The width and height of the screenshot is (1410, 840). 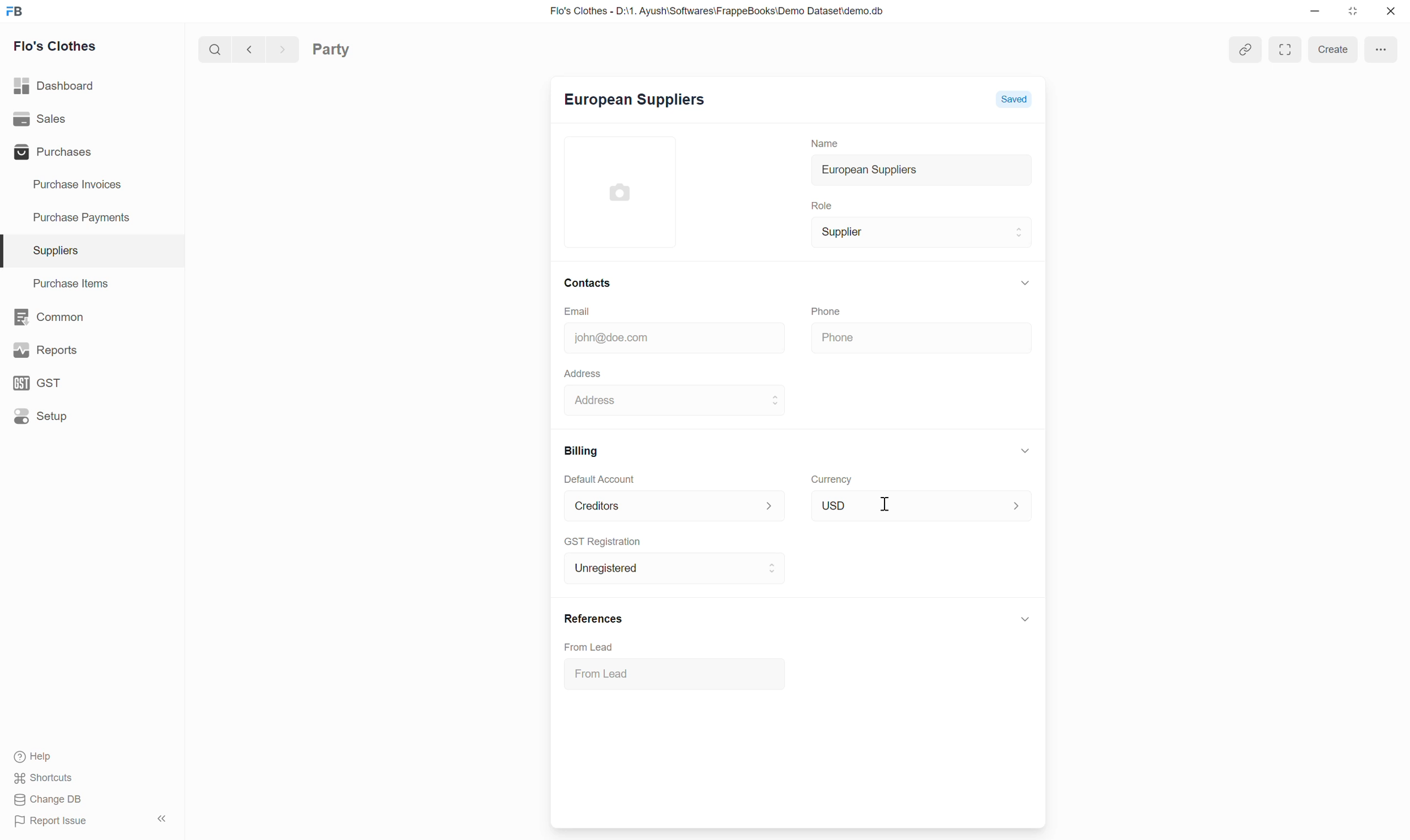 I want to click on Help, so click(x=31, y=753).